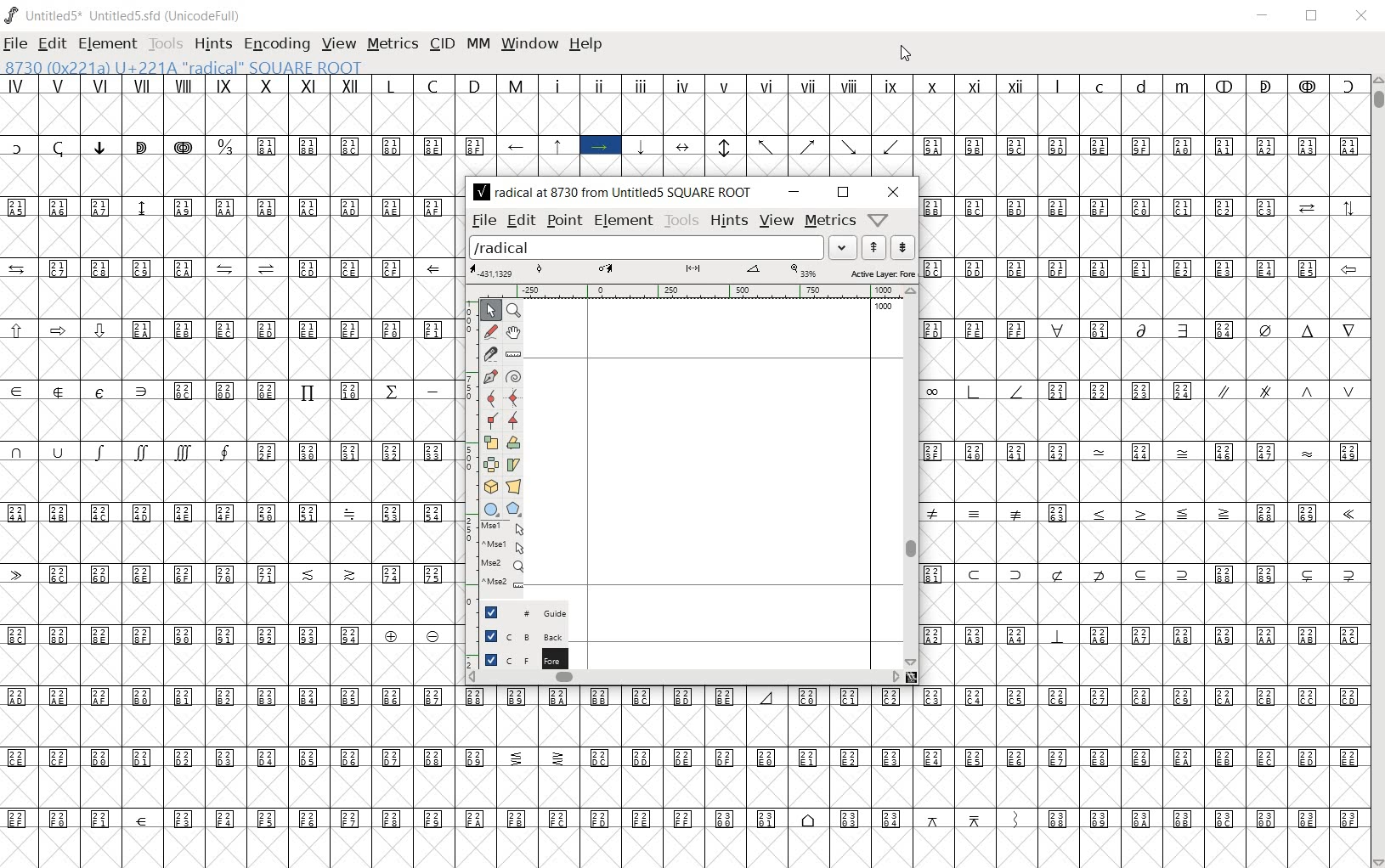 The height and width of the screenshot is (868, 1385). What do you see at coordinates (663, 246) in the screenshot?
I see `load word list` at bounding box center [663, 246].